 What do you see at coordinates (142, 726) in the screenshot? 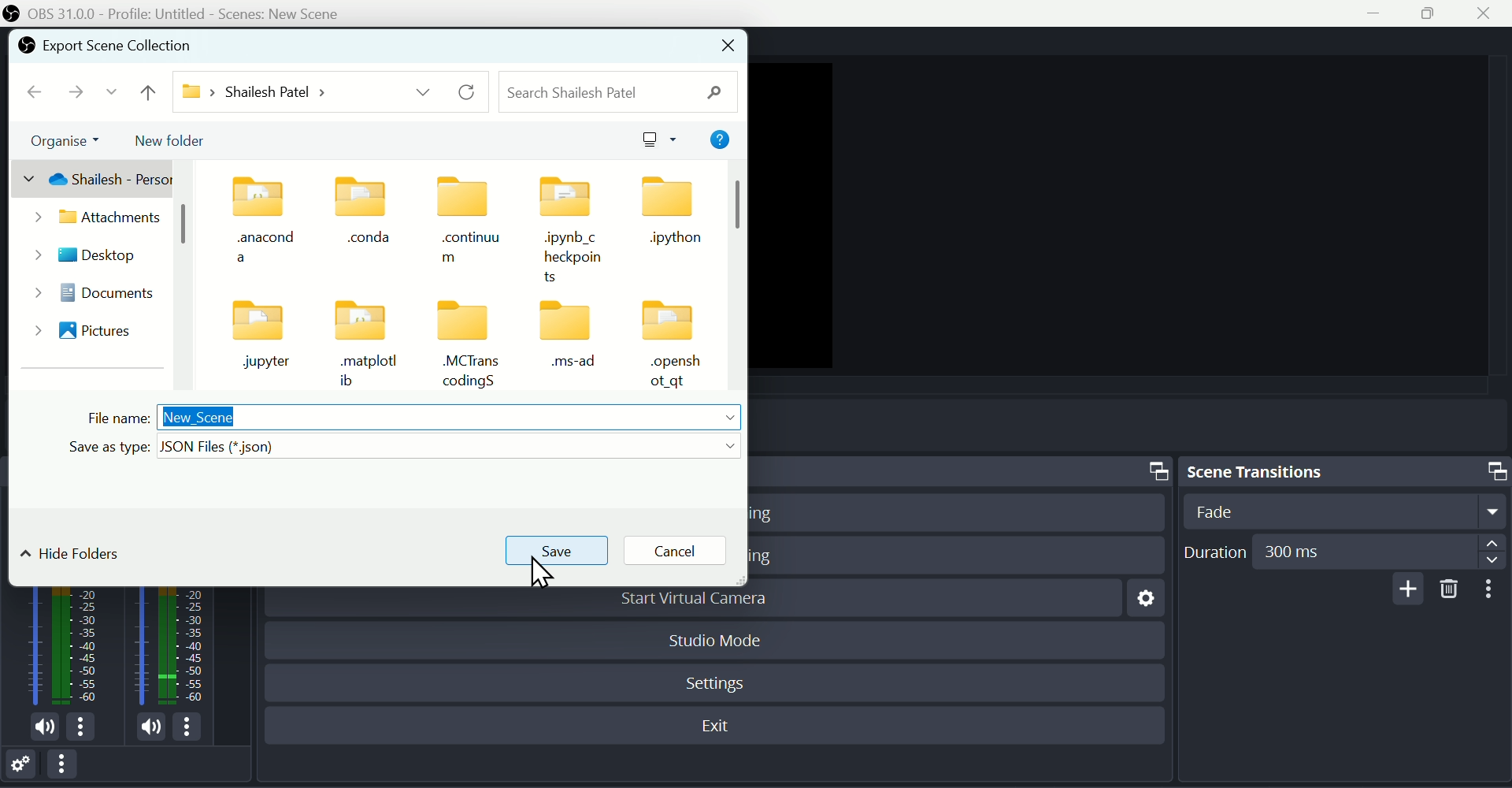
I see `volume` at bounding box center [142, 726].